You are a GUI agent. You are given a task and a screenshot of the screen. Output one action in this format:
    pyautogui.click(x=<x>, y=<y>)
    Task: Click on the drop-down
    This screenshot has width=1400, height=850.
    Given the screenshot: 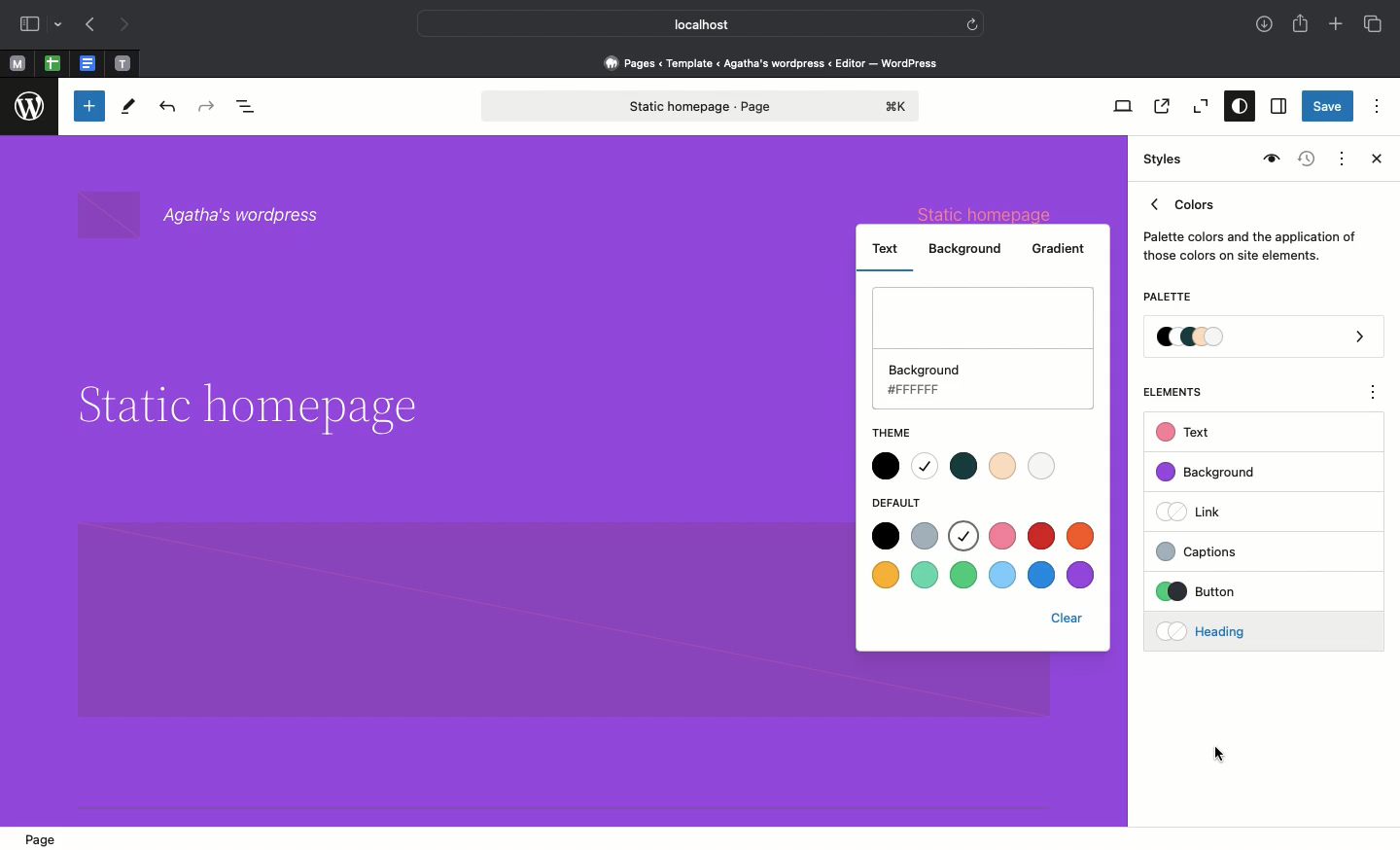 What is the action you would take?
    pyautogui.click(x=61, y=25)
    